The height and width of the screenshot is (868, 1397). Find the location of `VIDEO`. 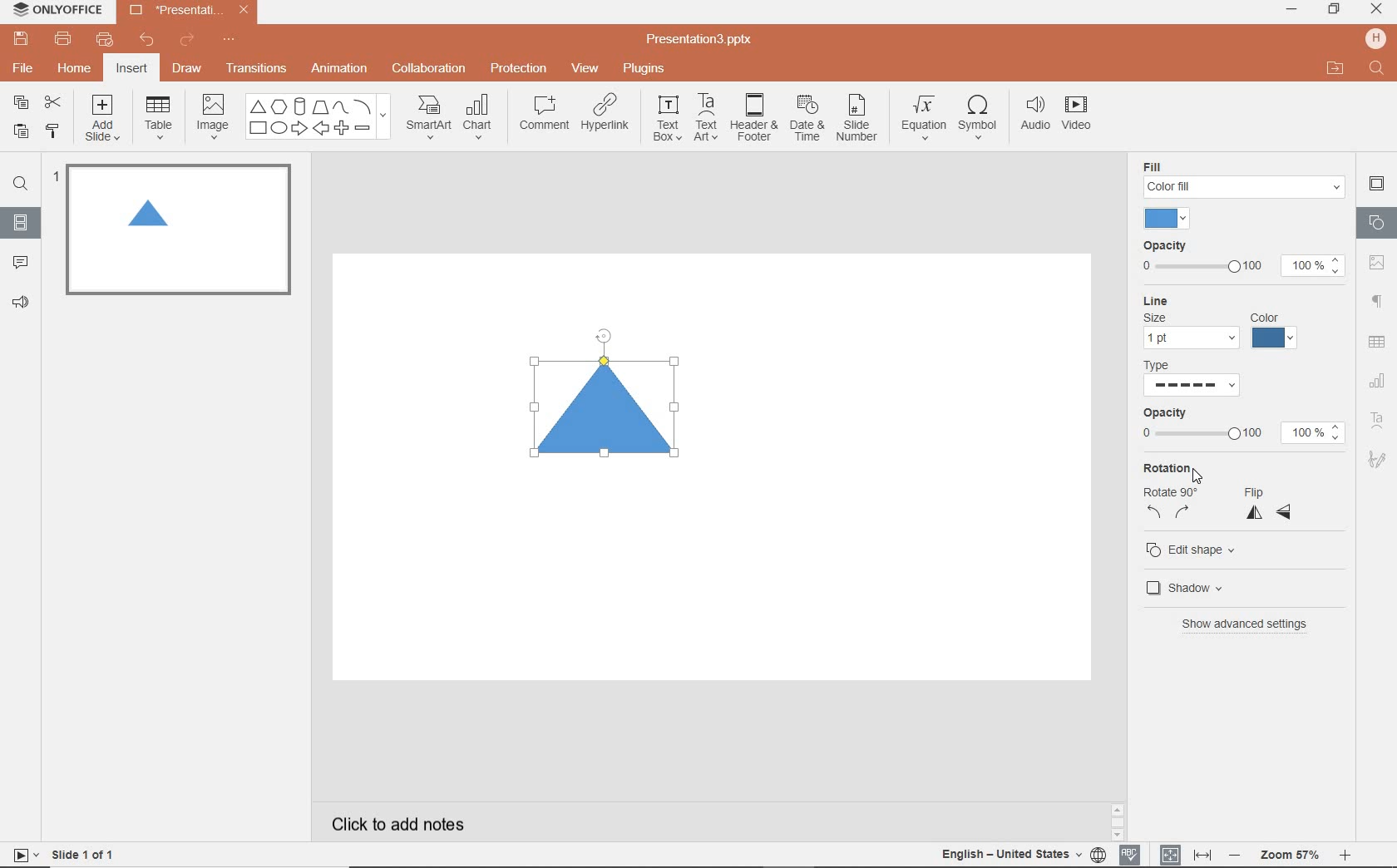

VIDEO is located at coordinates (1082, 116).